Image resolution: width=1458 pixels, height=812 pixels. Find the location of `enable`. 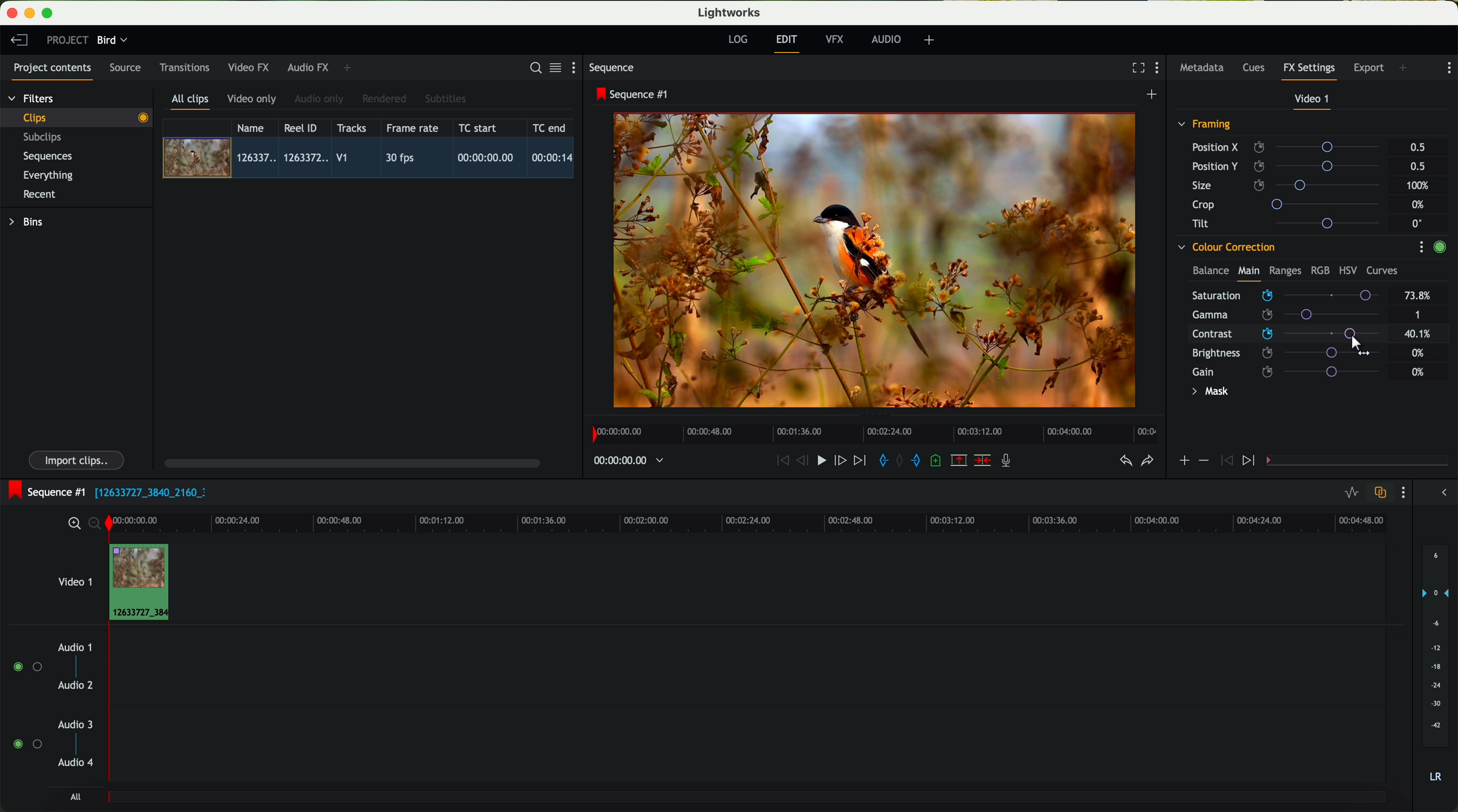

enable is located at coordinates (1439, 248).